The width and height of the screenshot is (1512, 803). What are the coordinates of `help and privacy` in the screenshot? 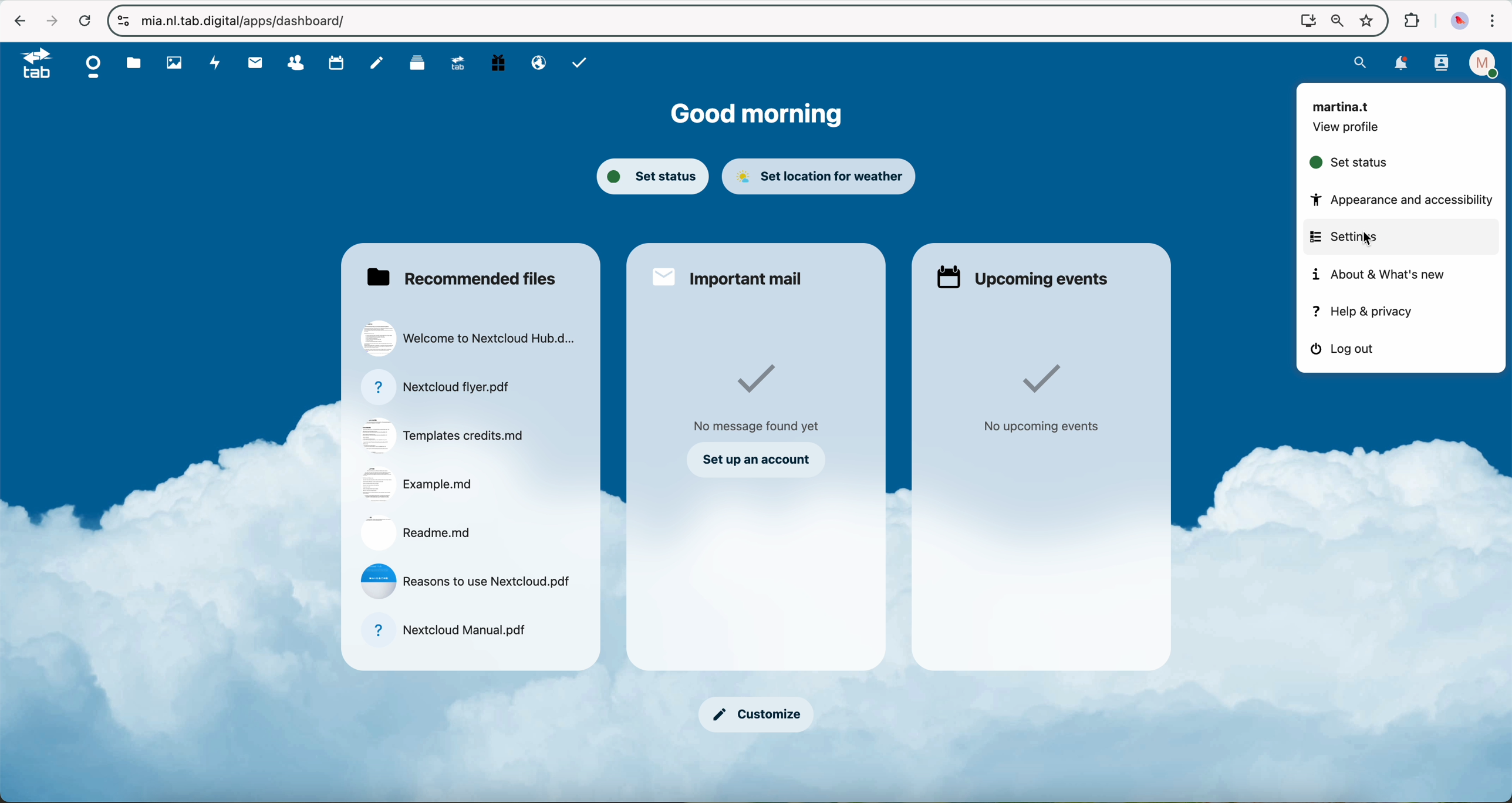 It's located at (1365, 312).